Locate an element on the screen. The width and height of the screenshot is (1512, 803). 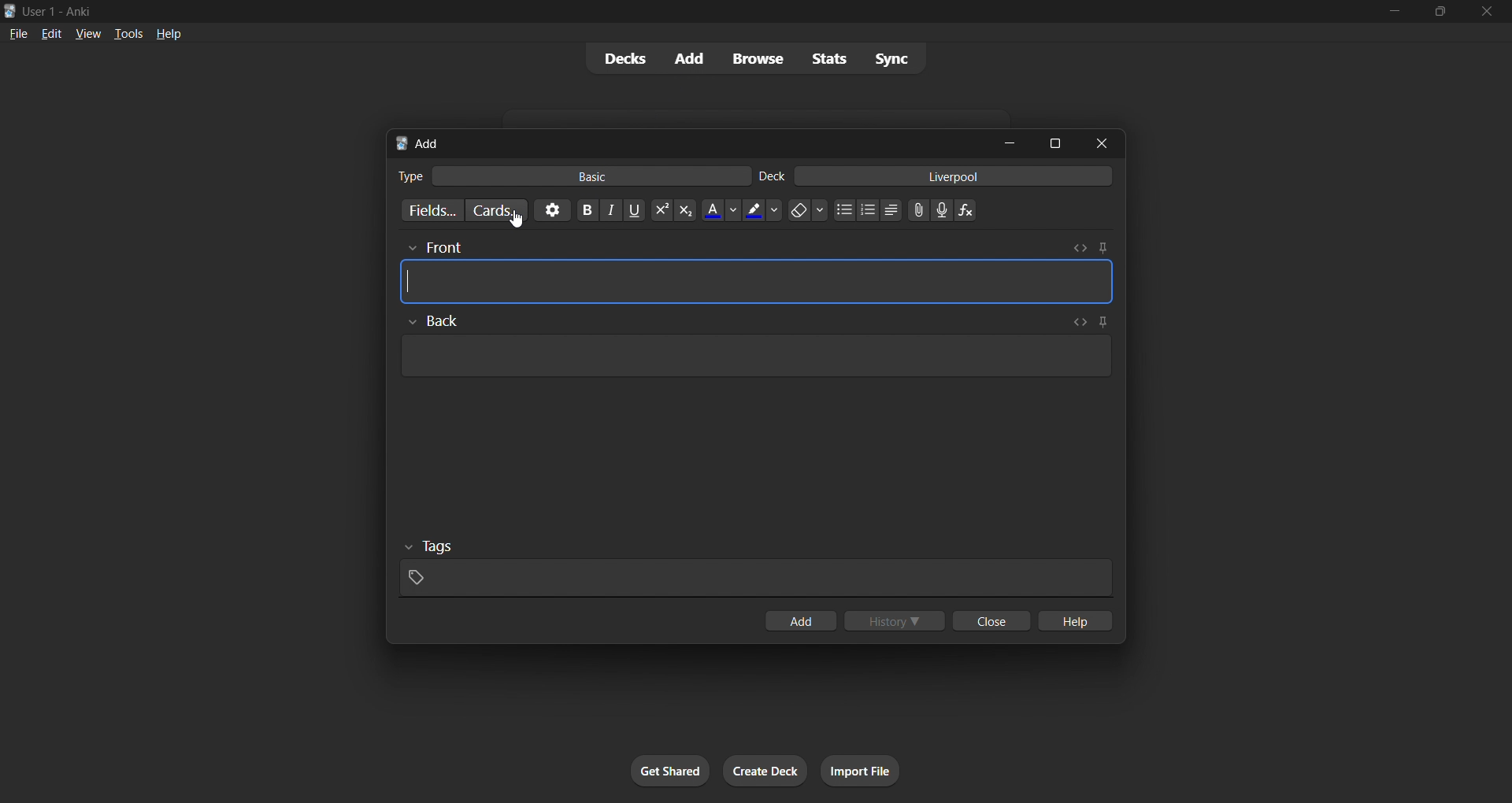
sync is located at coordinates (889, 60).